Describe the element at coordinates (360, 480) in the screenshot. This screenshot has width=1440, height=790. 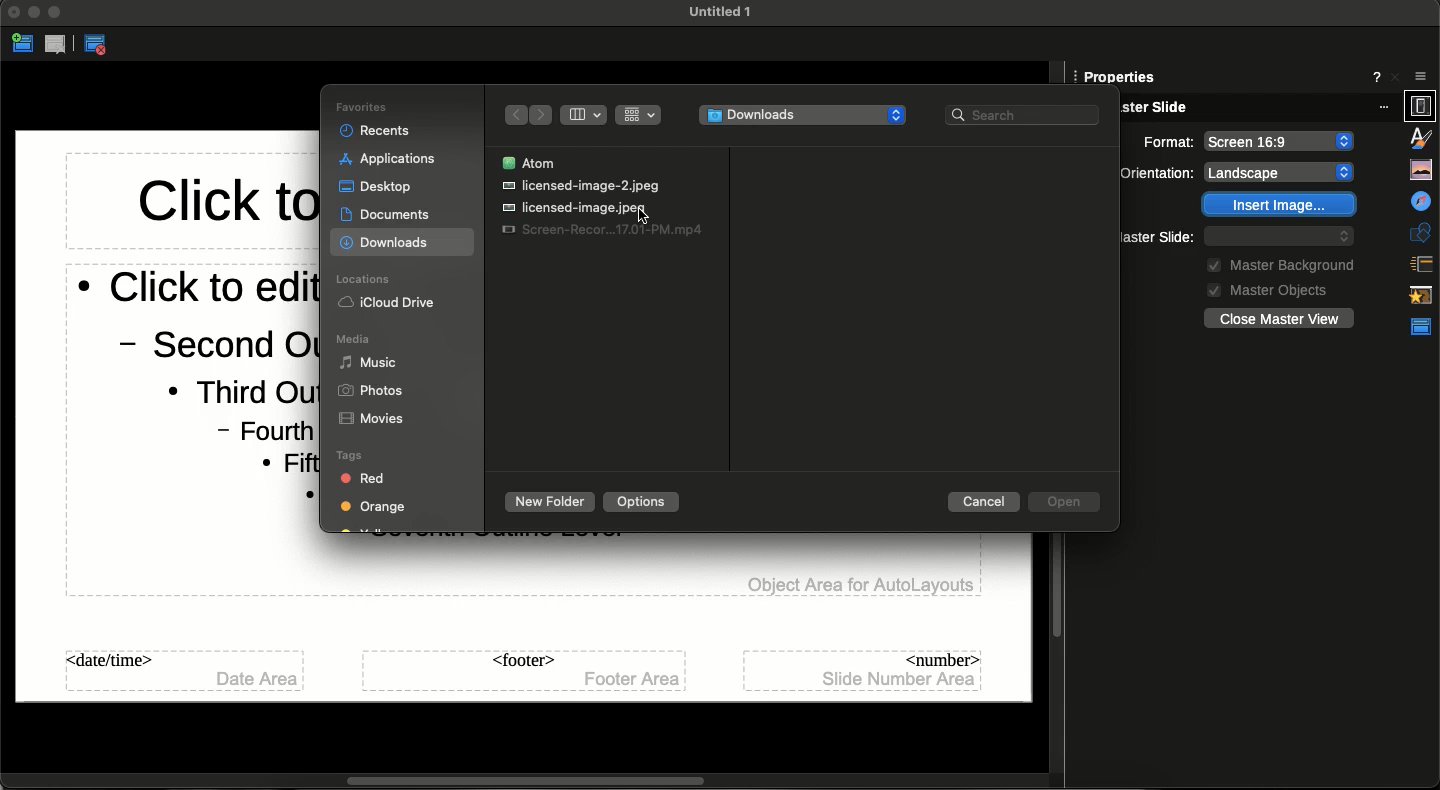
I see `Red` at that location.